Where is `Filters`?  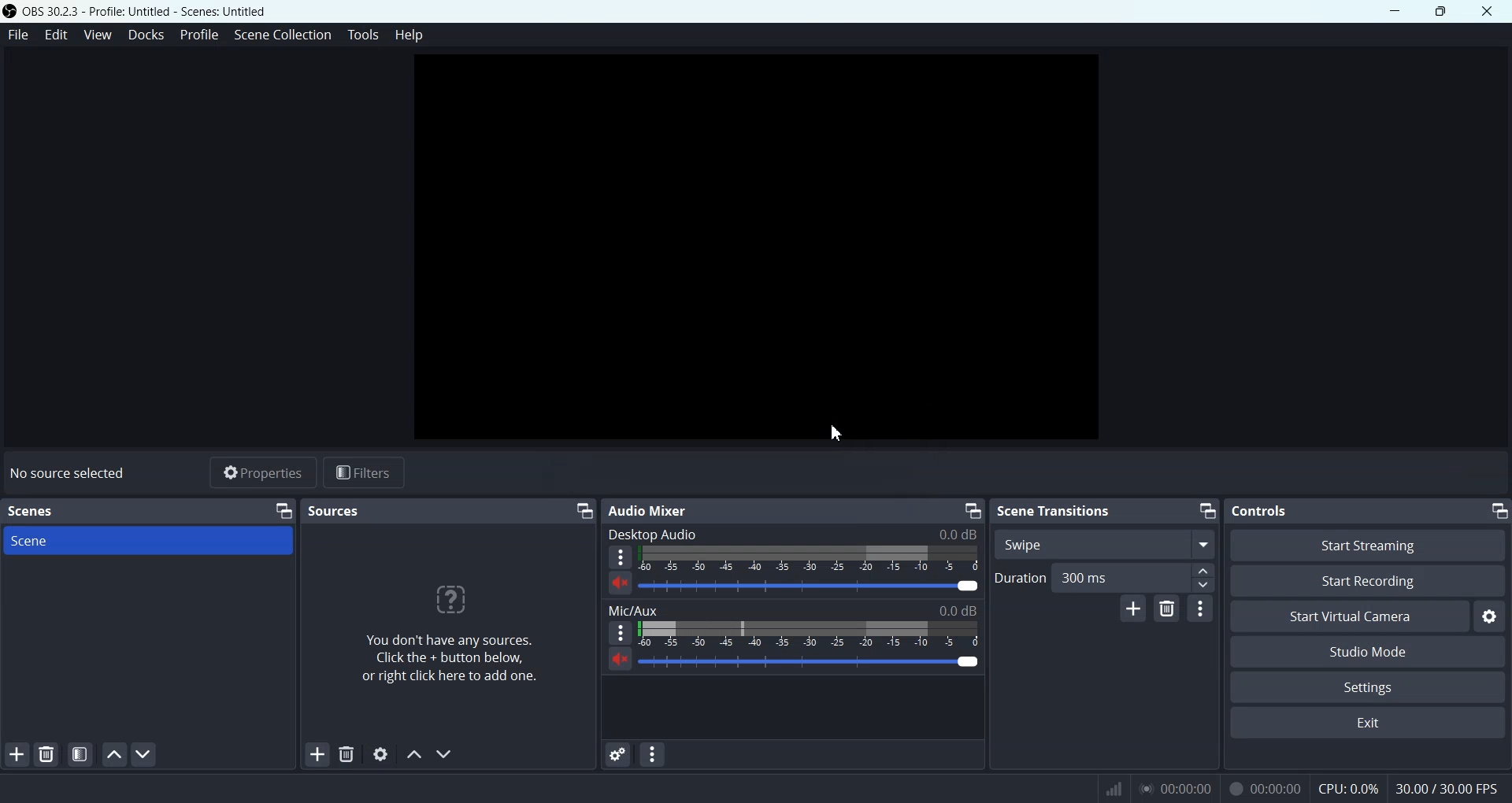
Filters is located at coordinates (365, 472).